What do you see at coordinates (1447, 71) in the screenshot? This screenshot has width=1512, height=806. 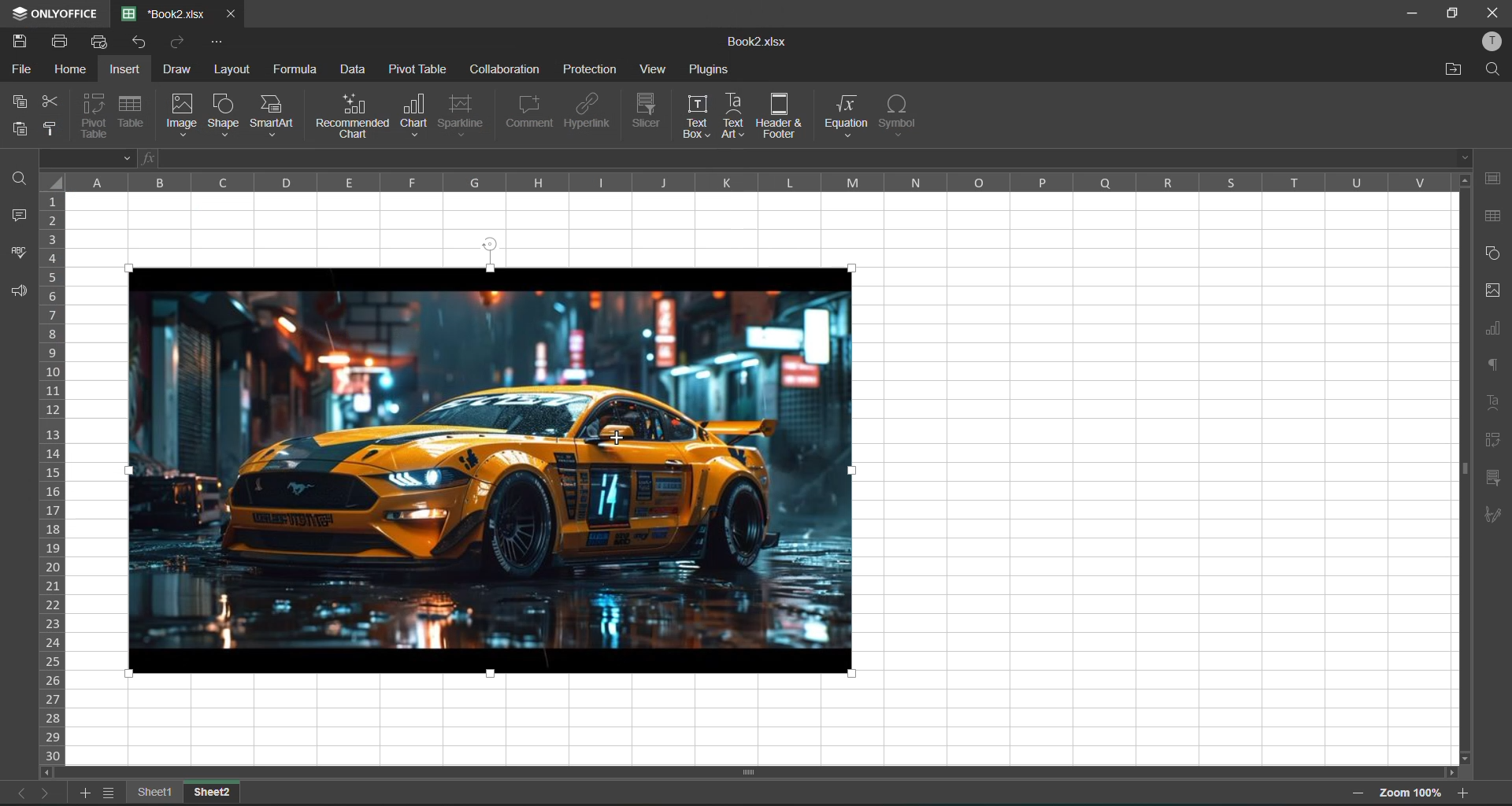 I see `open location` at bounding box center [1447, 71].